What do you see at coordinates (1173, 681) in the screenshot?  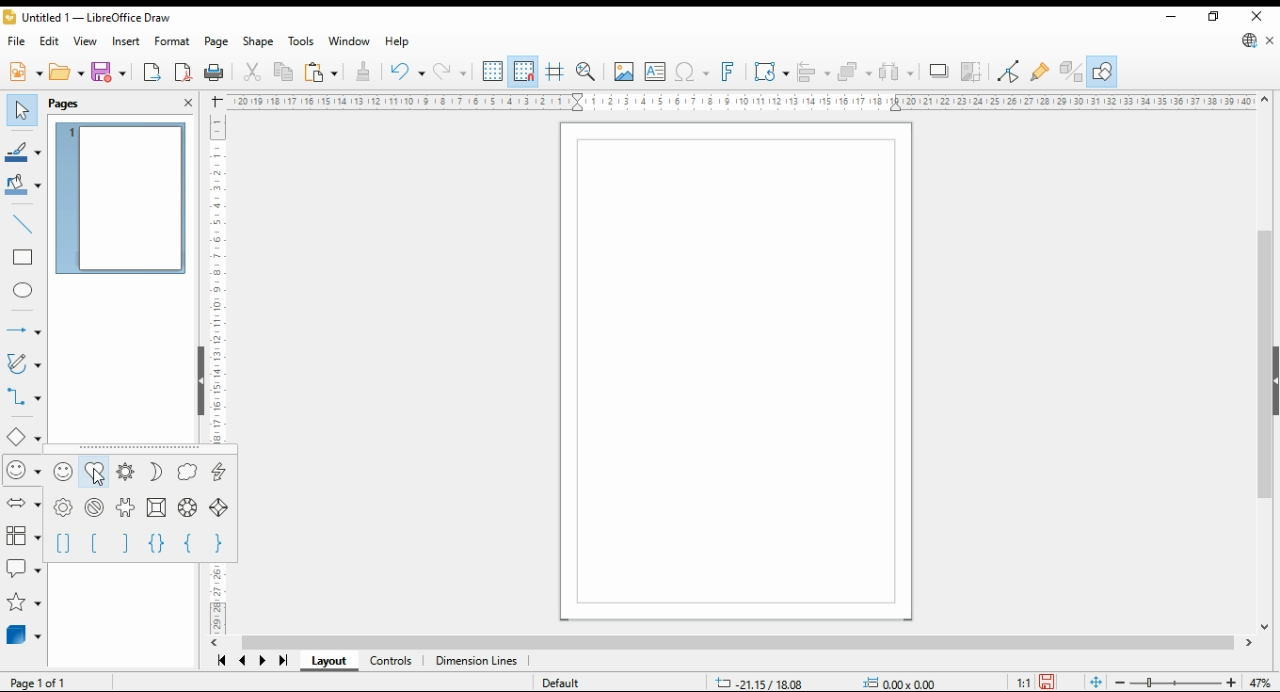 I see `zoom slider` at bounding box center [1173, 681].